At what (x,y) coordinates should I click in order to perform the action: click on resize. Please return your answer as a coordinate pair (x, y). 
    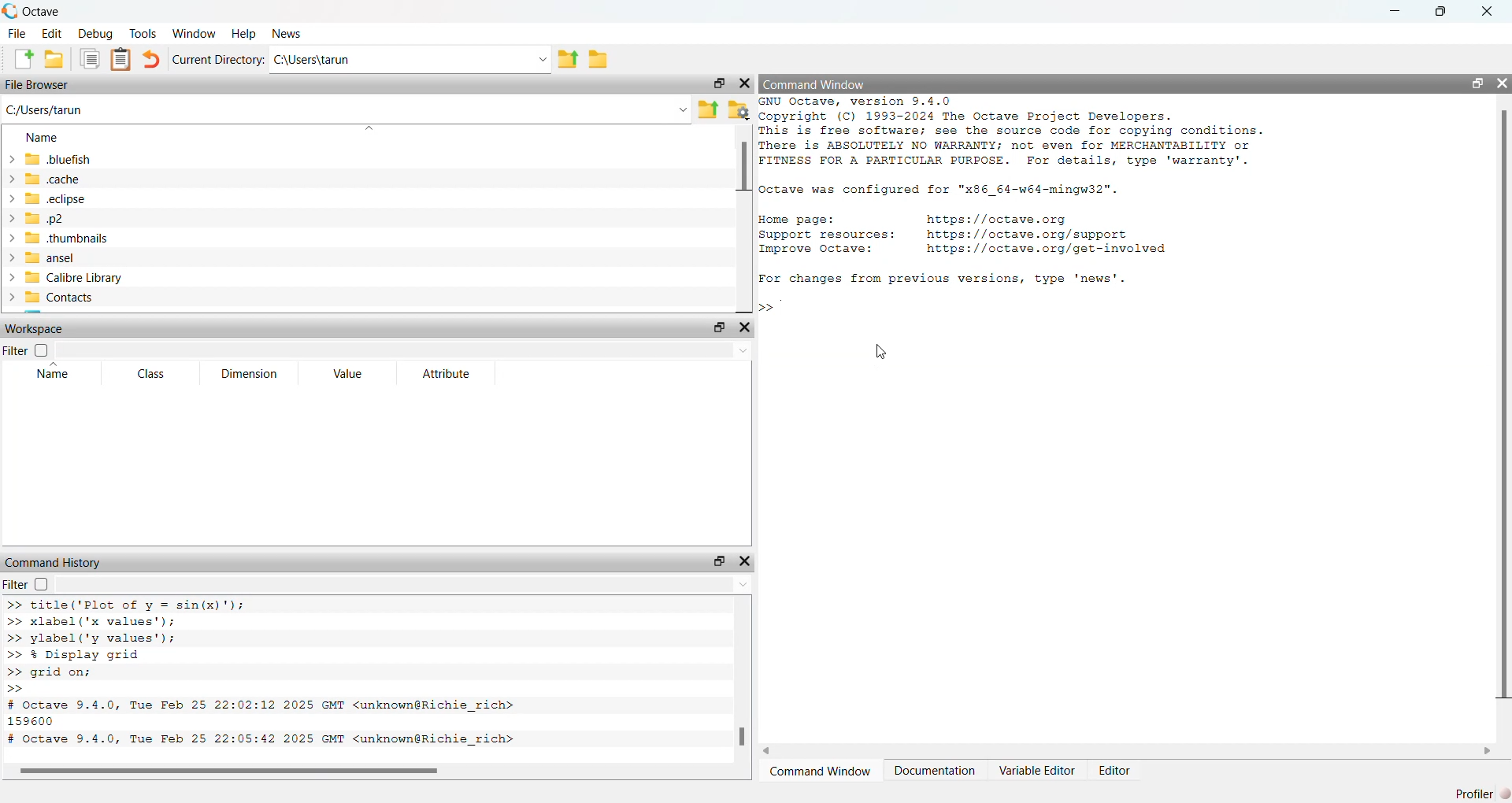
    Looking at the image, I should click on (720, 327).